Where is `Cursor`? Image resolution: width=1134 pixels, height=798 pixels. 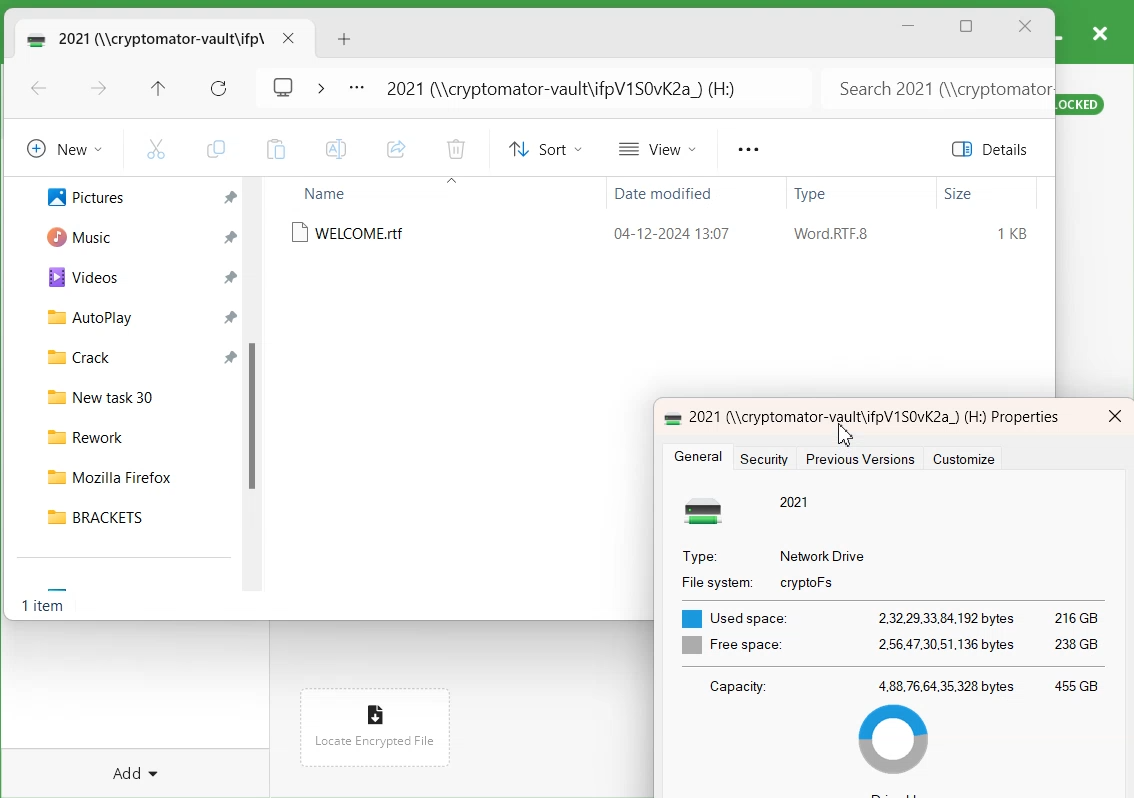 Cursor is located at coordinates (845, 434).